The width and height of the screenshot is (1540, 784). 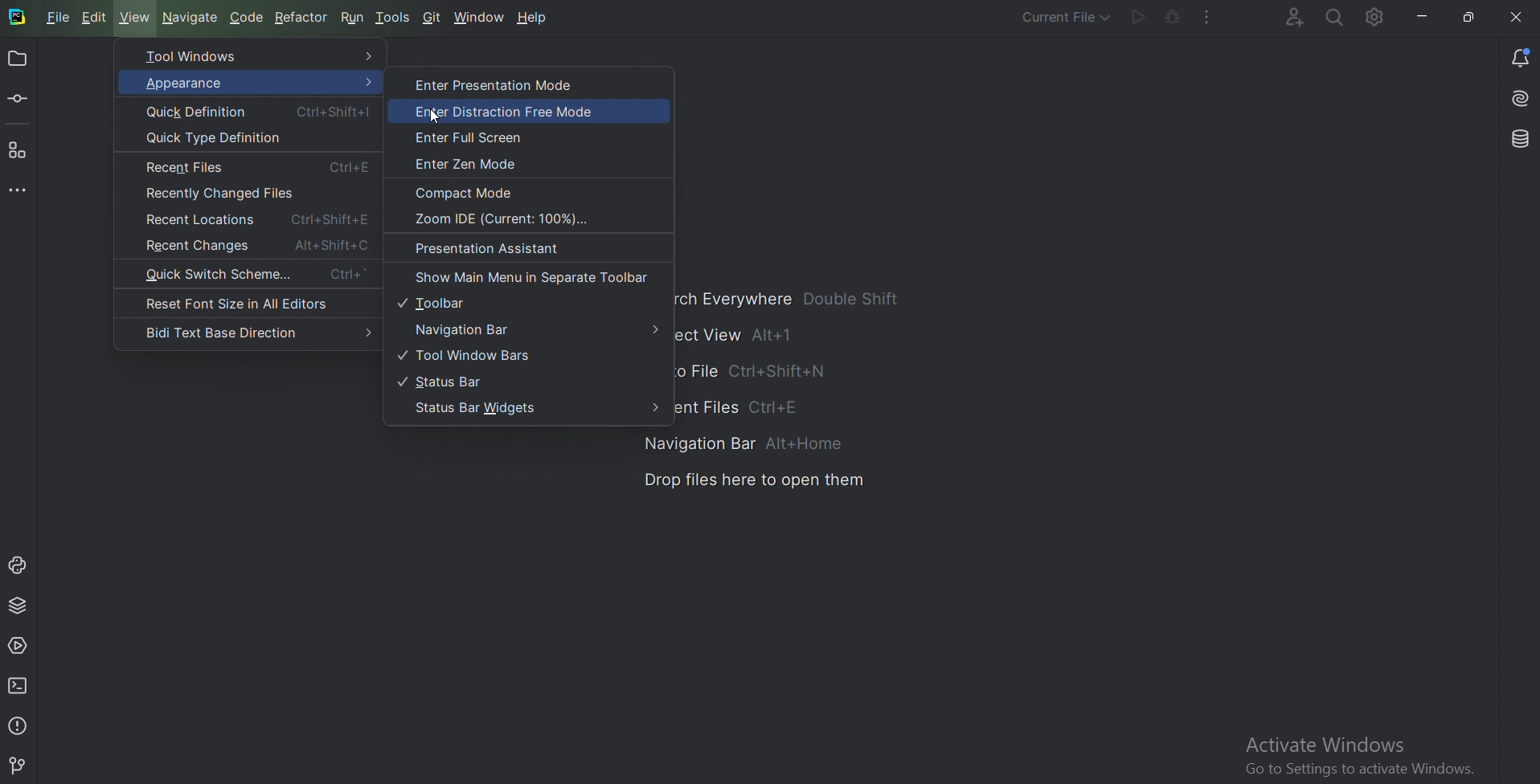 What do you see at coordinates (1137, 18) in the screenshot?
I see `Run` at bounding box center [1137, 18].